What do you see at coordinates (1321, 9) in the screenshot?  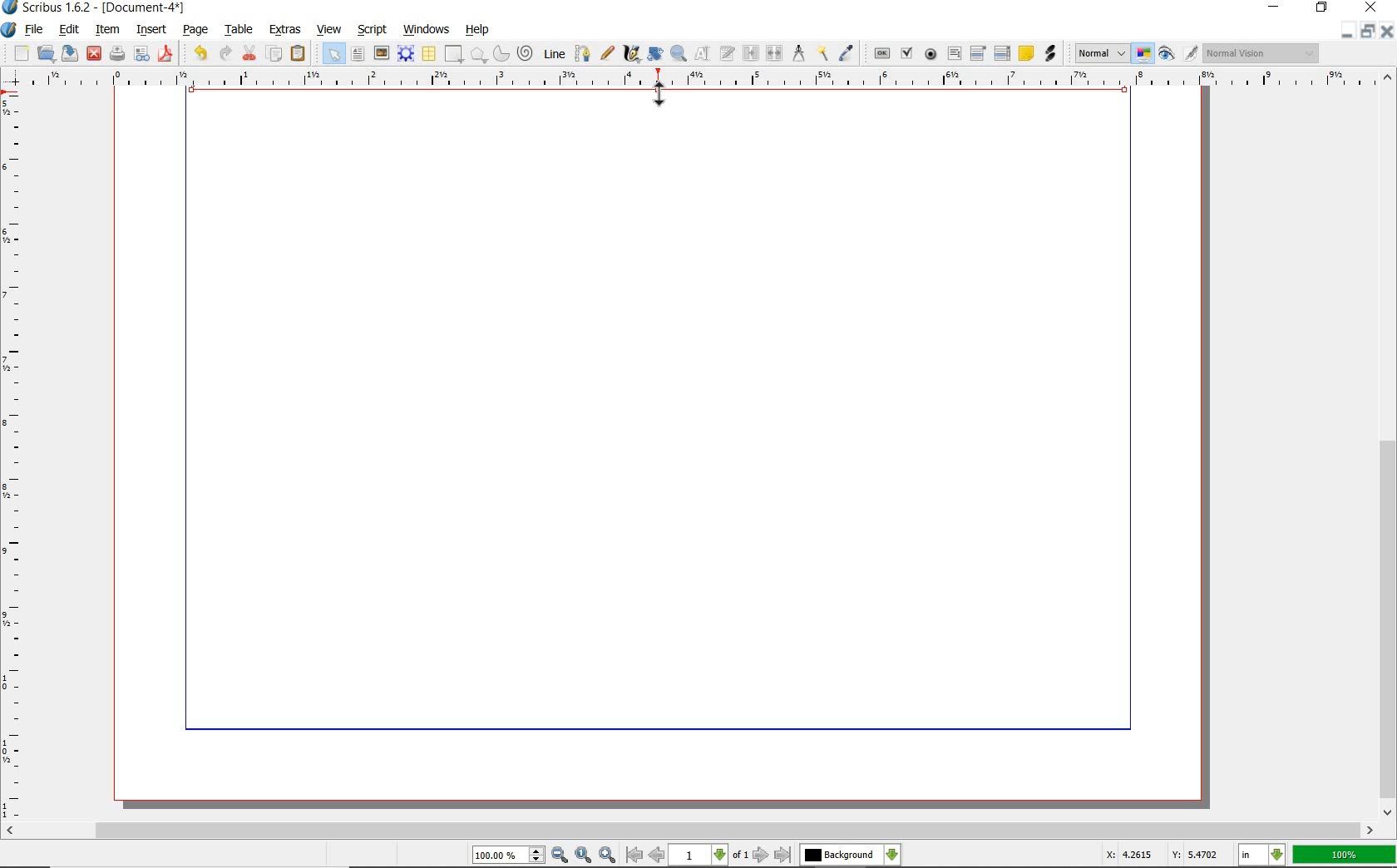 I see `restore` at bounding box center [1321, 9].